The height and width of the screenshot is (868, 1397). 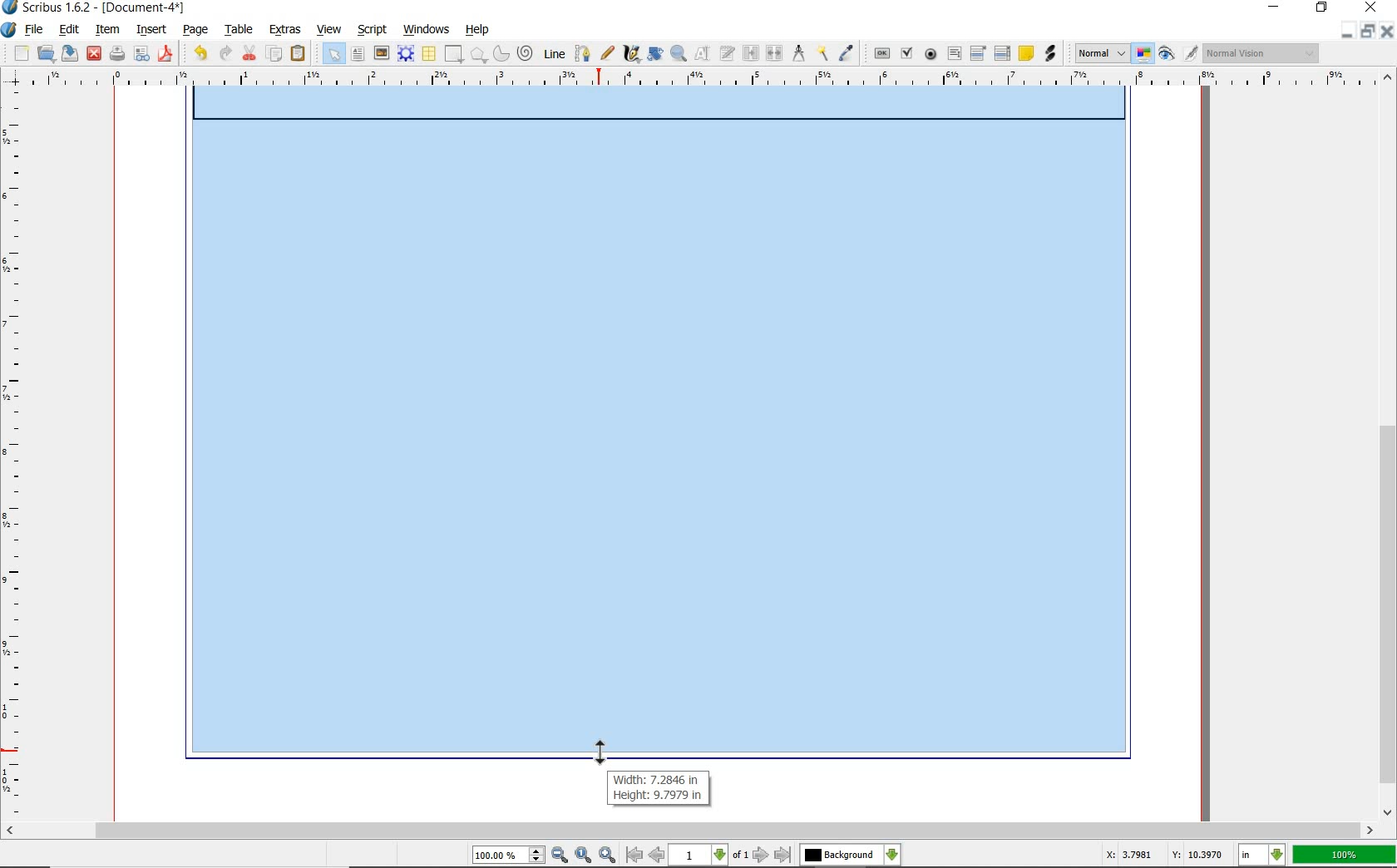 What do you see at coordinates (198, 53) in the screenshot?
I see `undo` at bounding box center [198, 53].